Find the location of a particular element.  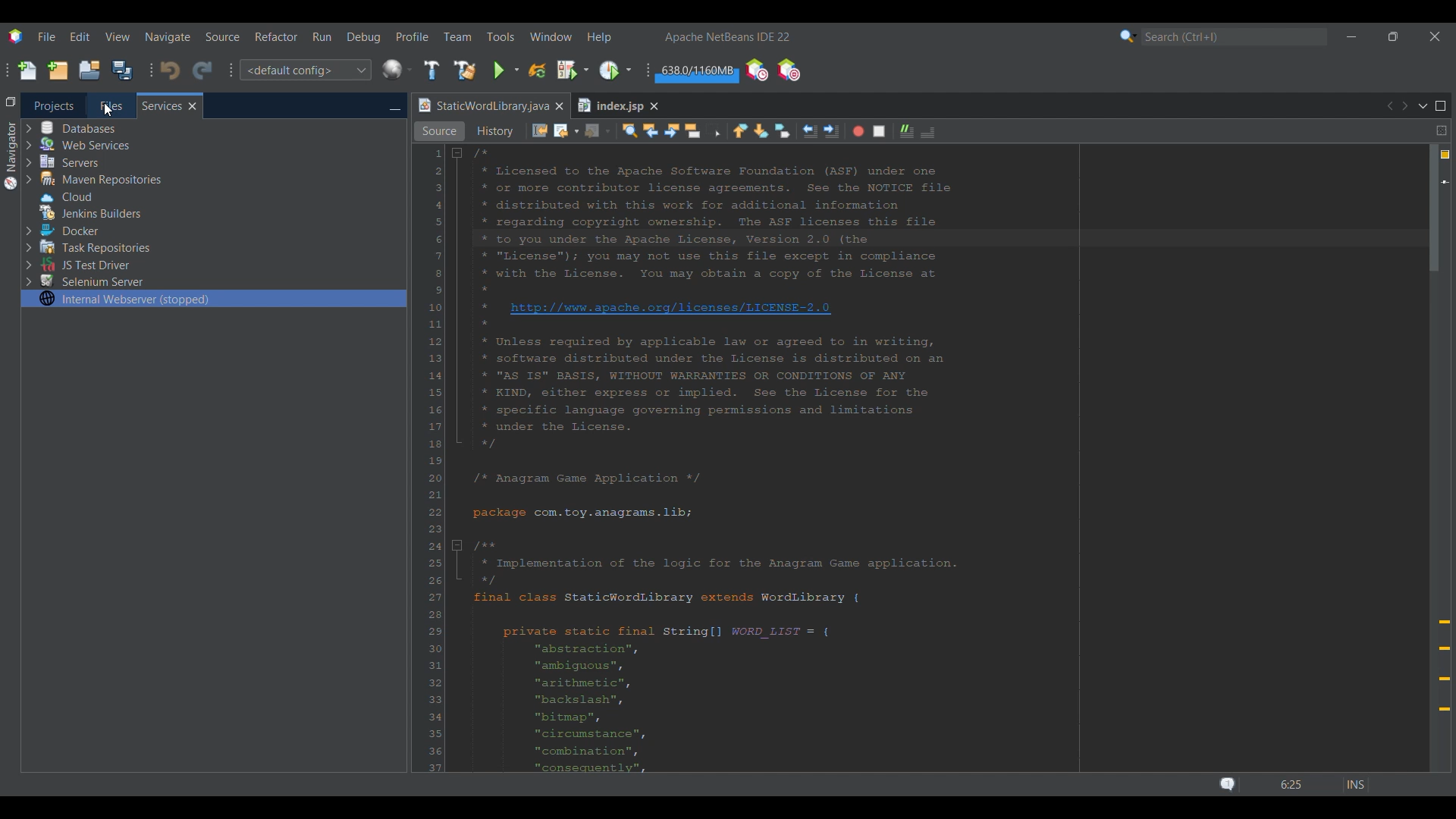

Show in smaller tab is located at coordinates (1393, 36).